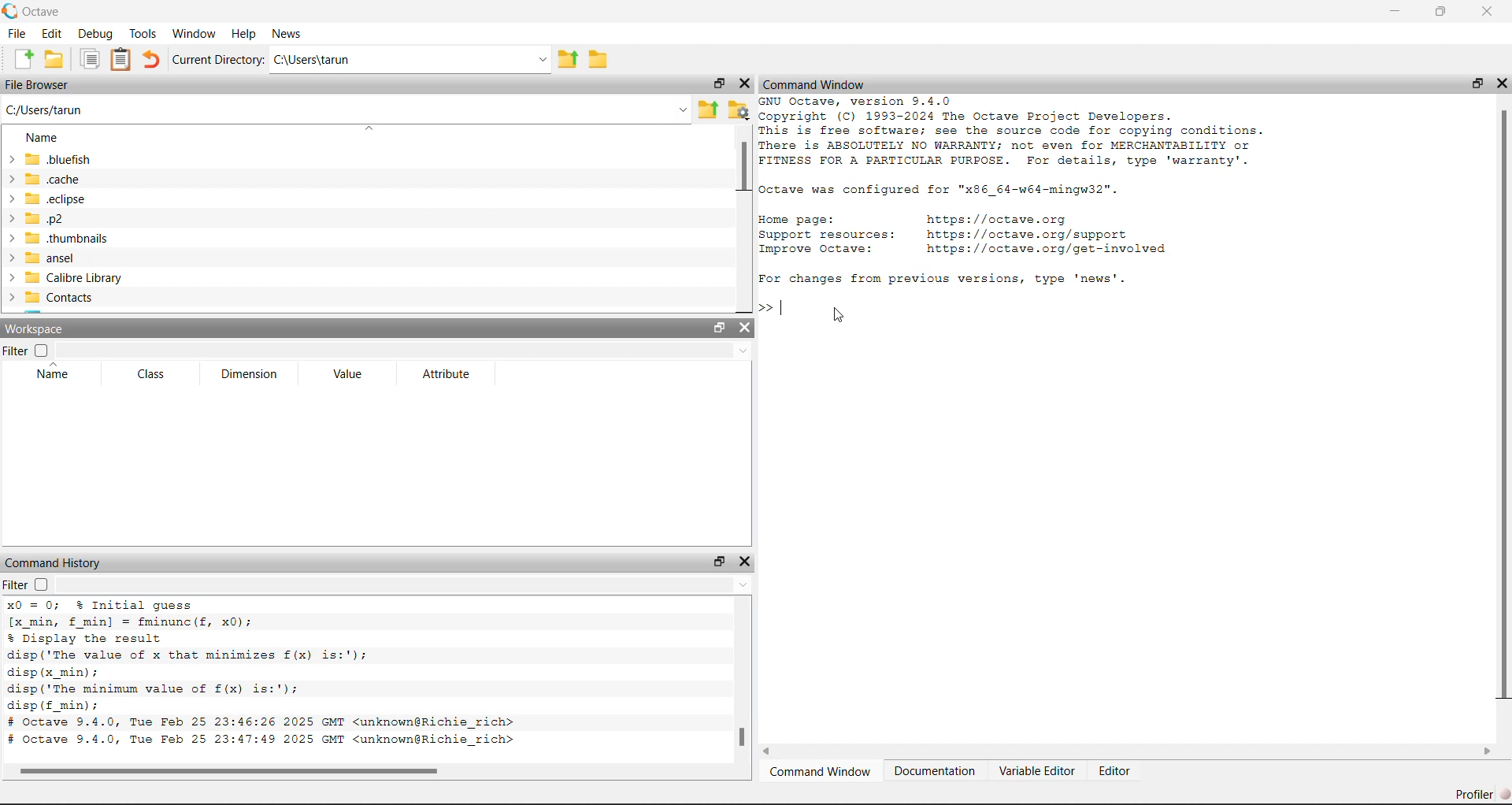 Image resolution: width=1512 pixels, height=805 pixels. What do you see at coordinates (48, 374) in the screenshot?
I see `Name` at bounding box center [48, 374].